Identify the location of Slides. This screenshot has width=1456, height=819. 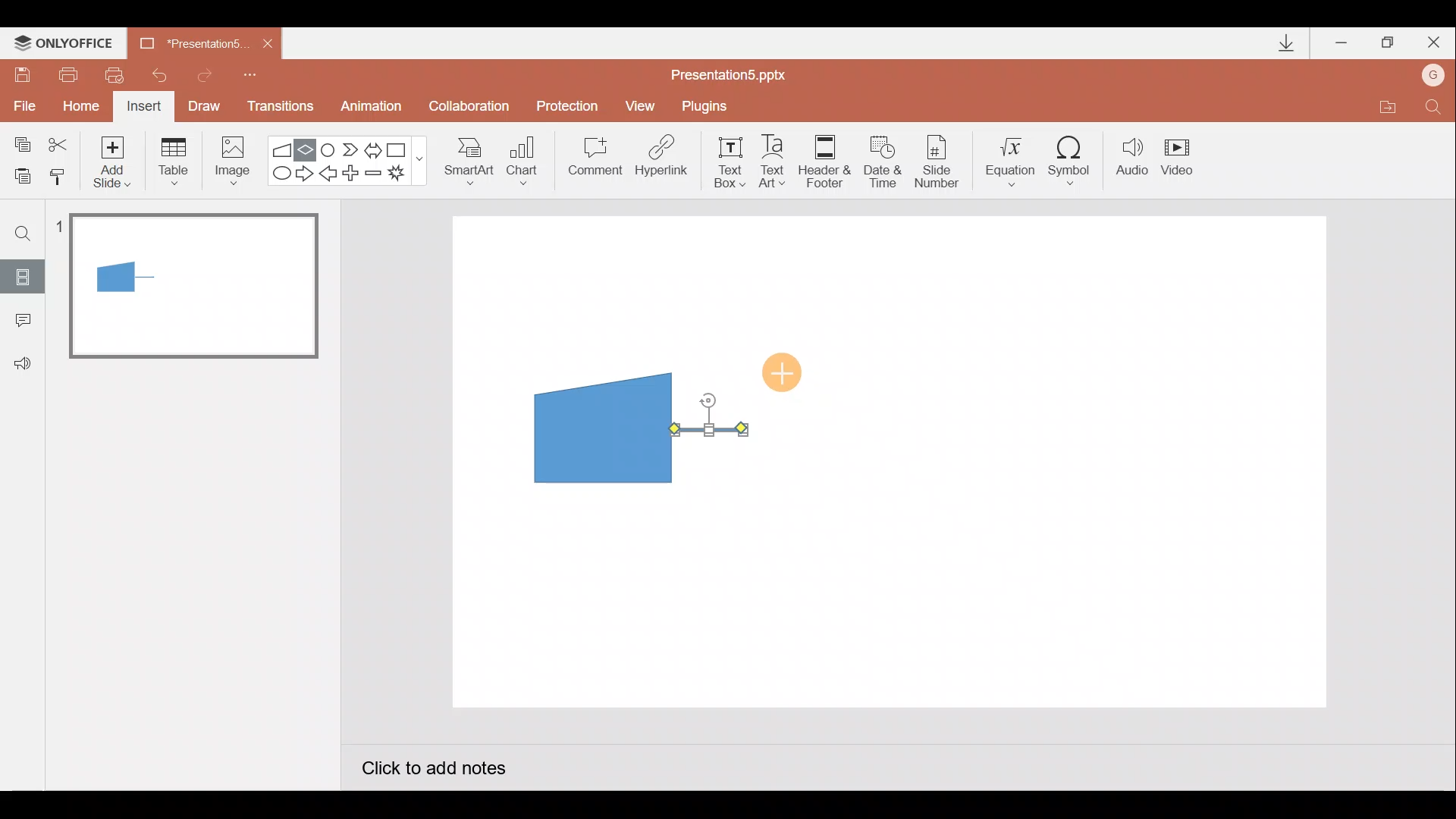
(22, 276).